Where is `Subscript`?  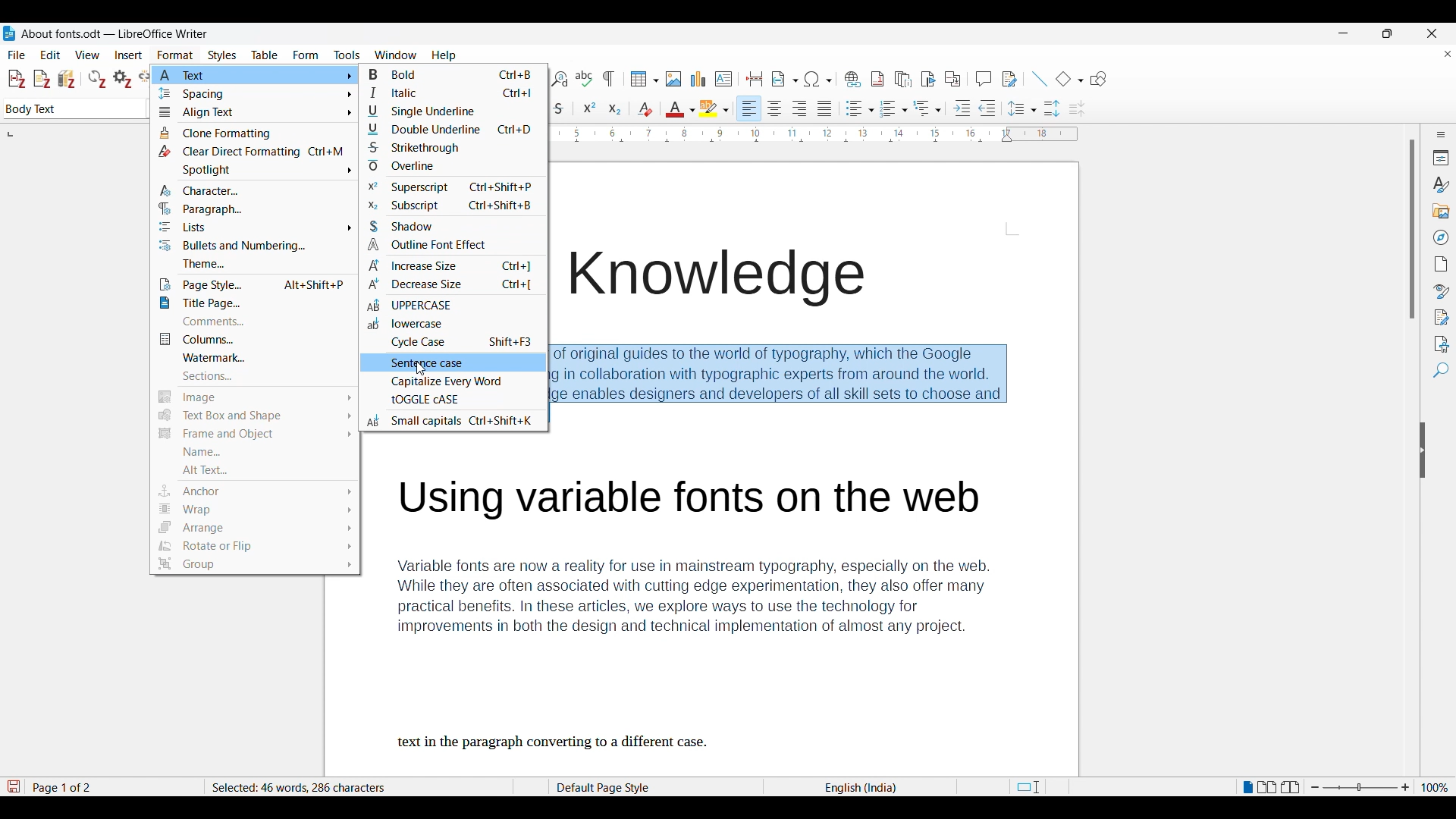
Subscript is located at coordinates (615, 108).